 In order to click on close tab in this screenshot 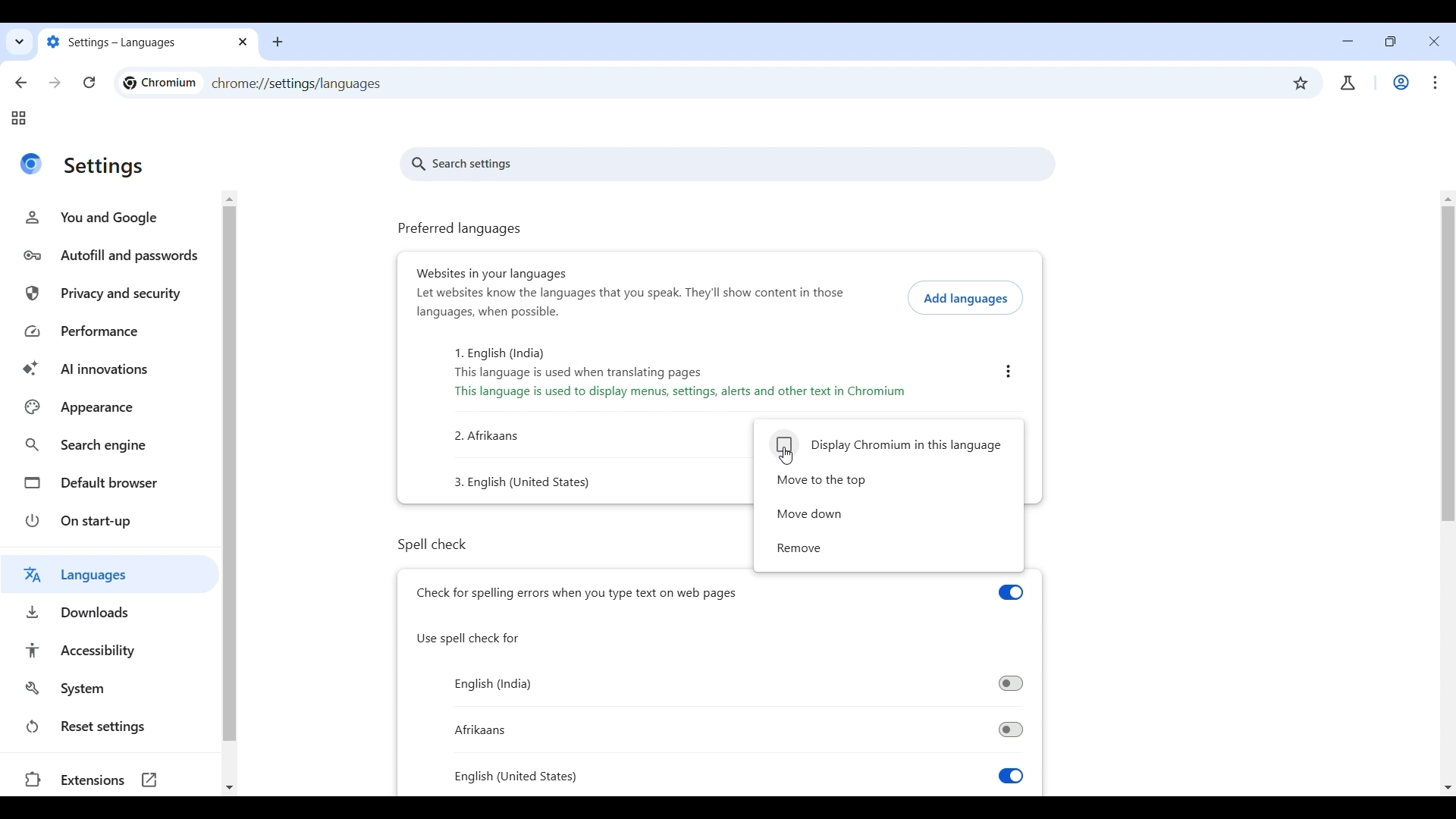, I will do `click(243, 41)`.